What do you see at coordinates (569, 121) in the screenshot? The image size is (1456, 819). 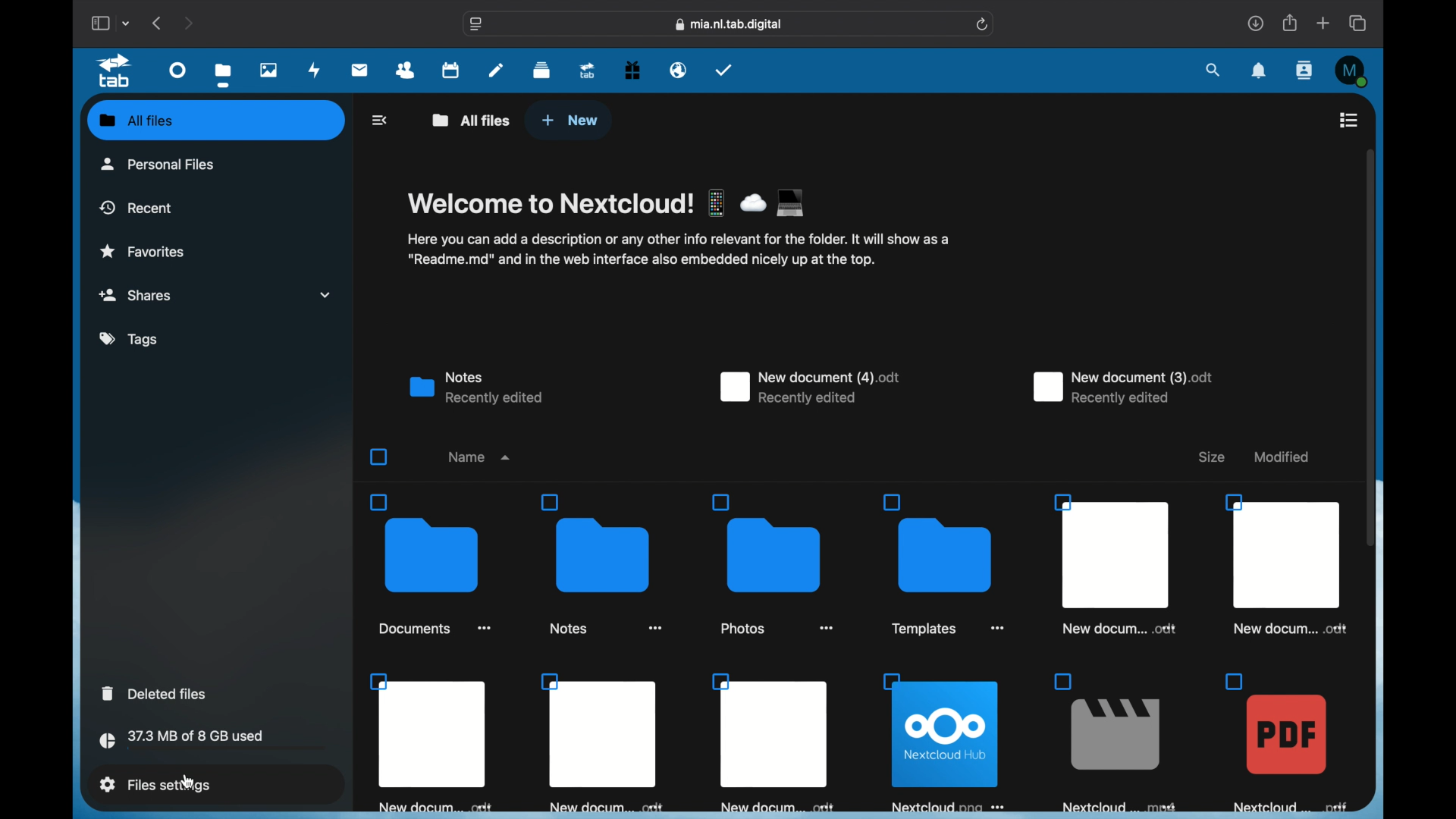 I see `new` at bounding box center [569, 121].